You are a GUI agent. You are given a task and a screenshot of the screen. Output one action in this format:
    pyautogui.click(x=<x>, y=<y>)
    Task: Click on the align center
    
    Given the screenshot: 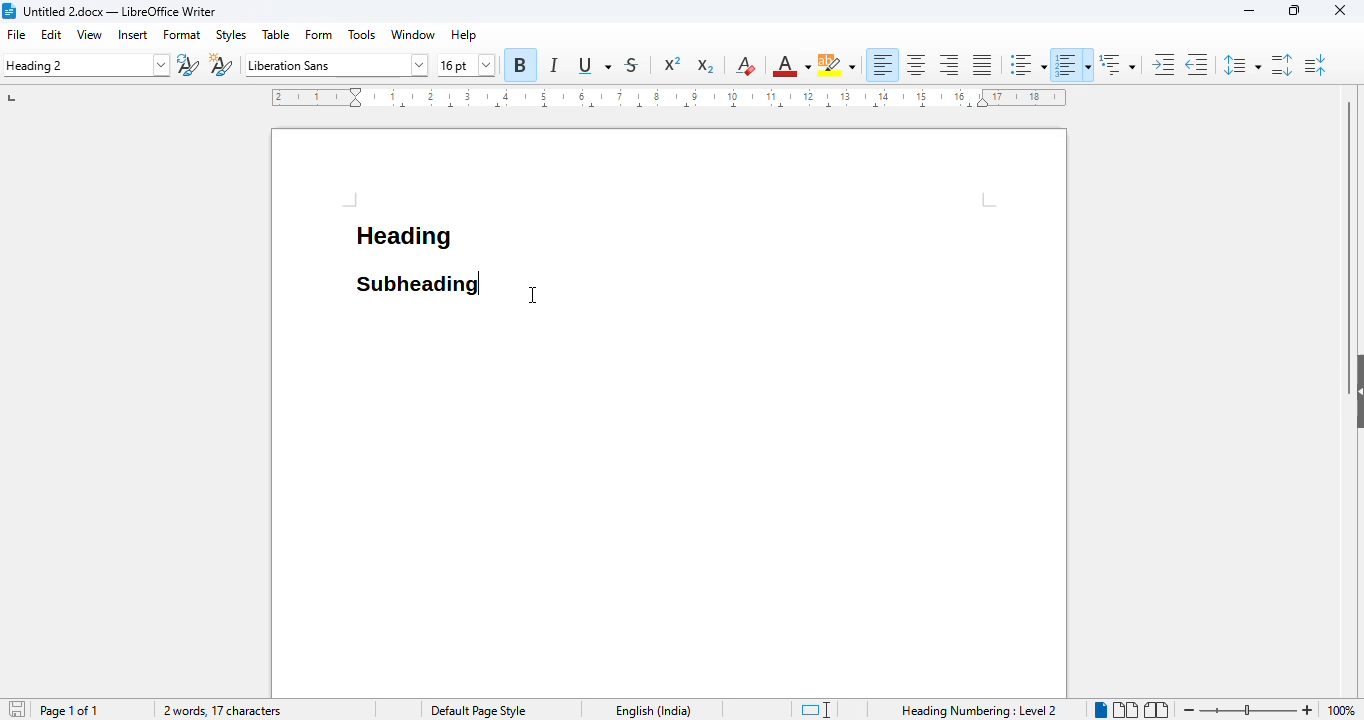 What is the action you would take?
    pyautogui.click(x=916, y=65)
    